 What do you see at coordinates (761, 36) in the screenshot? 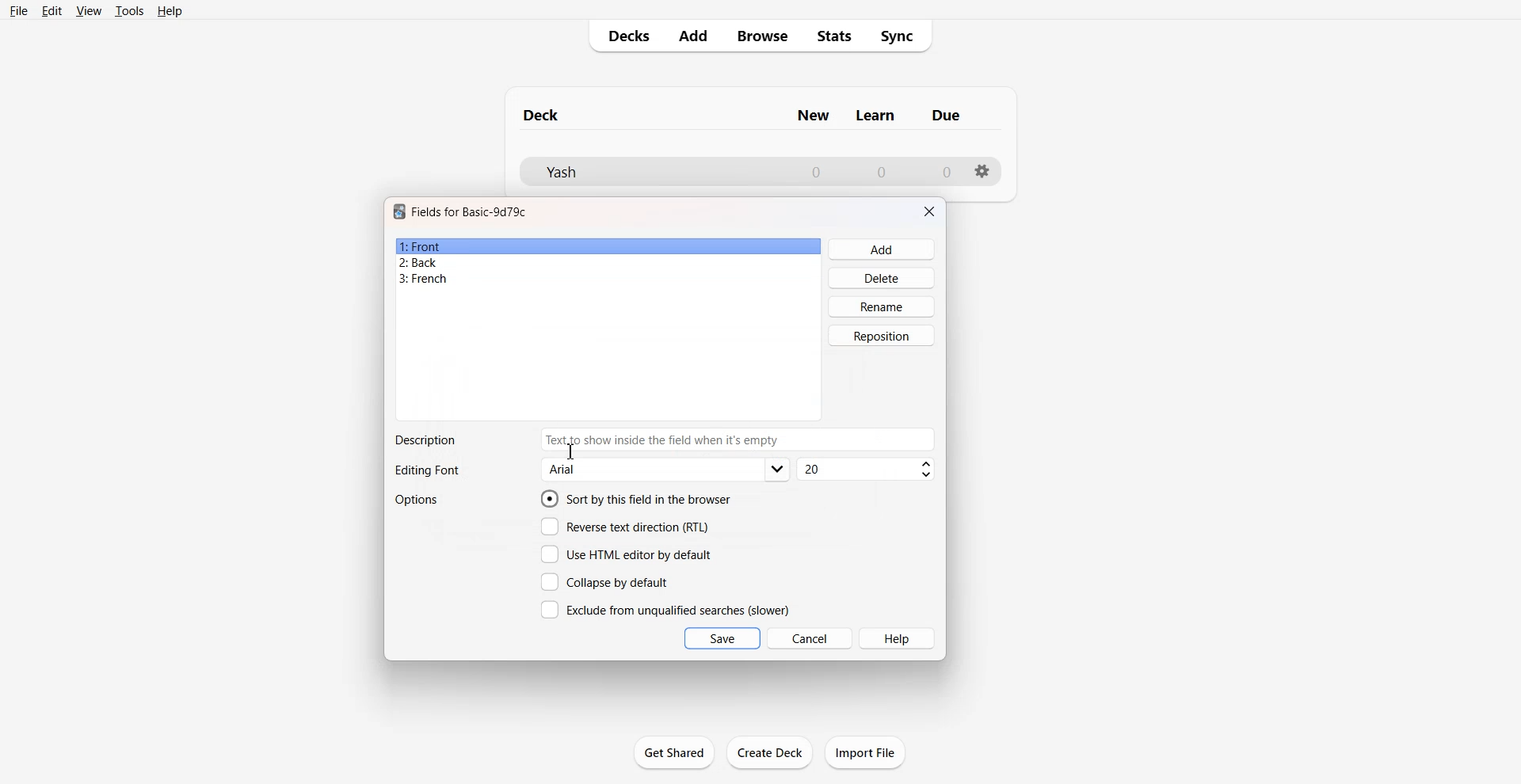
I see `Browse` at bounding box center [761, 36].